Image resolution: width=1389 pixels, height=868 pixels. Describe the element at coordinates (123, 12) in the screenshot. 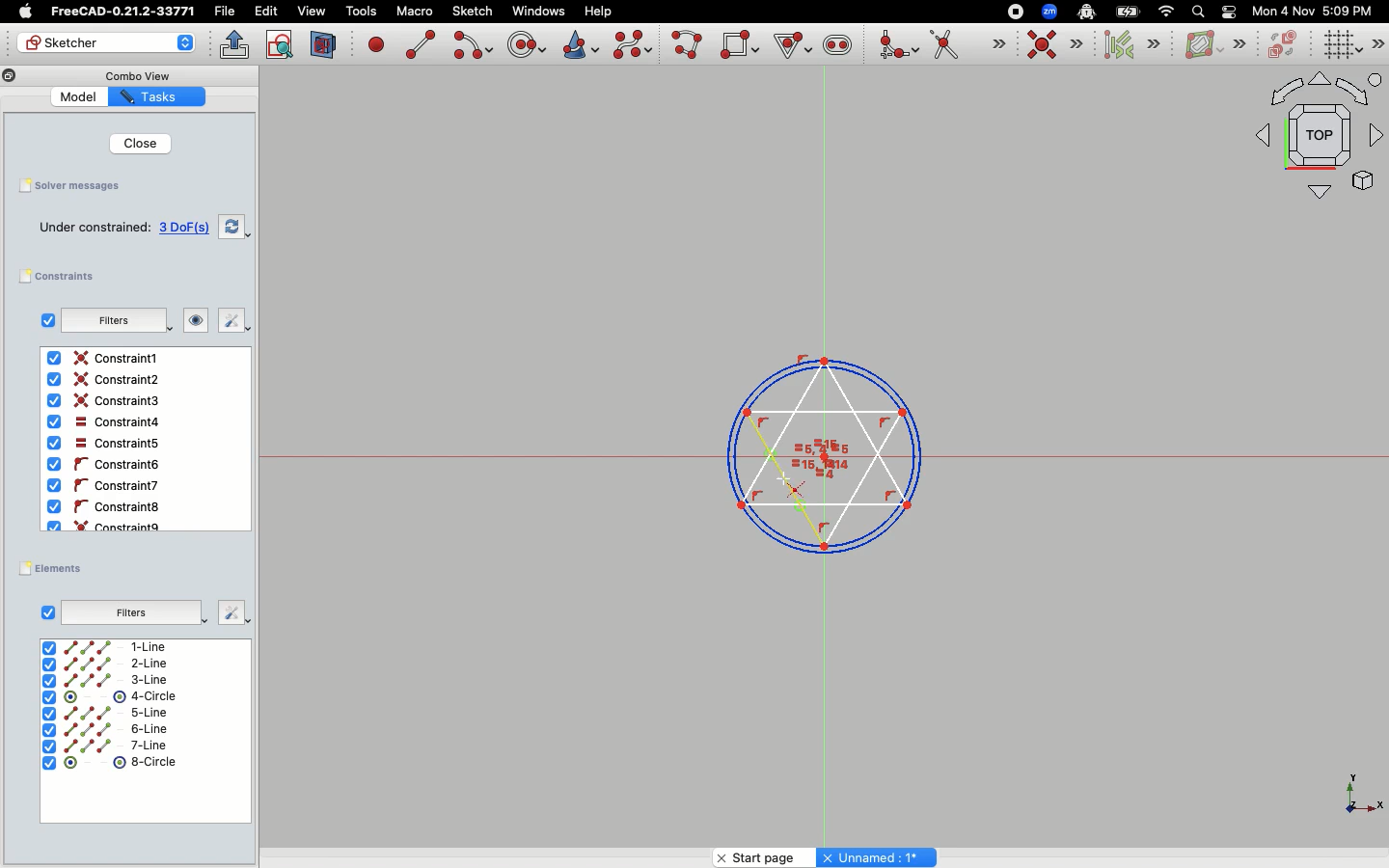

I see `FreeCAD-0.21.2-33771` at that location.